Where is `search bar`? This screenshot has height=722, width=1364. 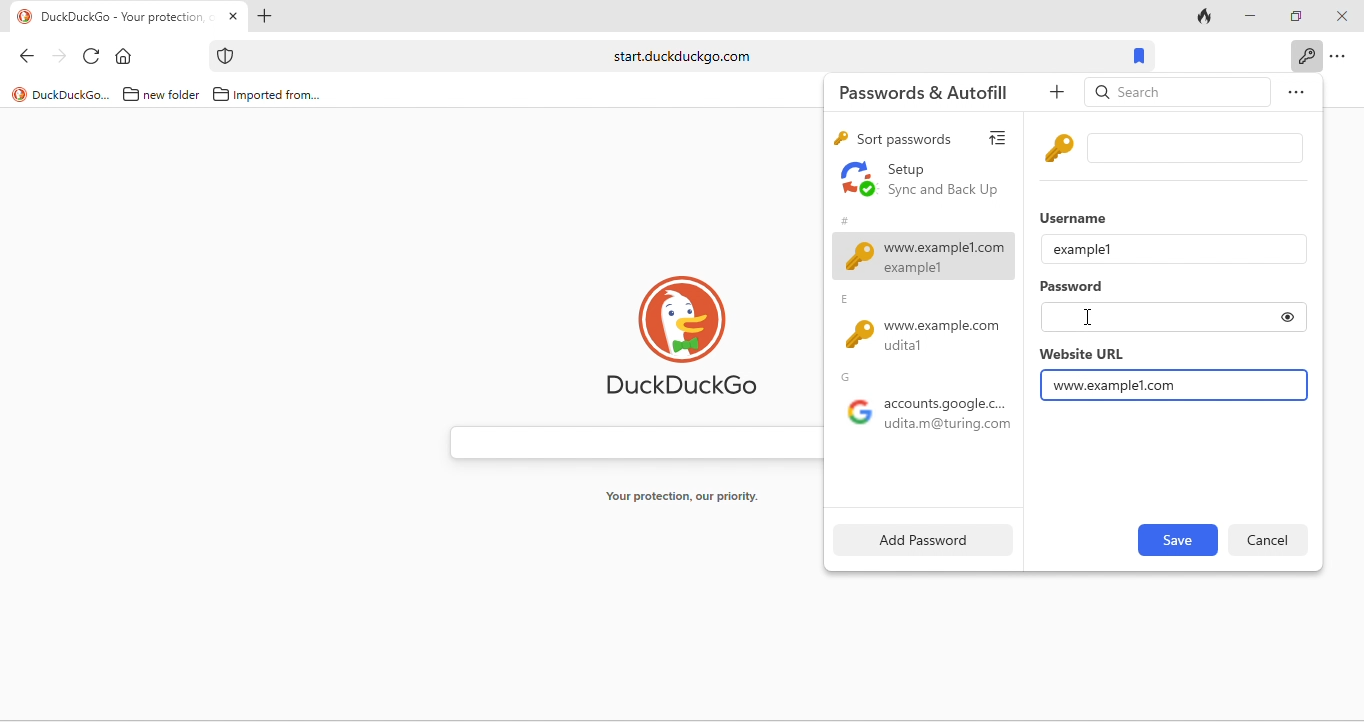 search bar is located at coordinates (626, 438).